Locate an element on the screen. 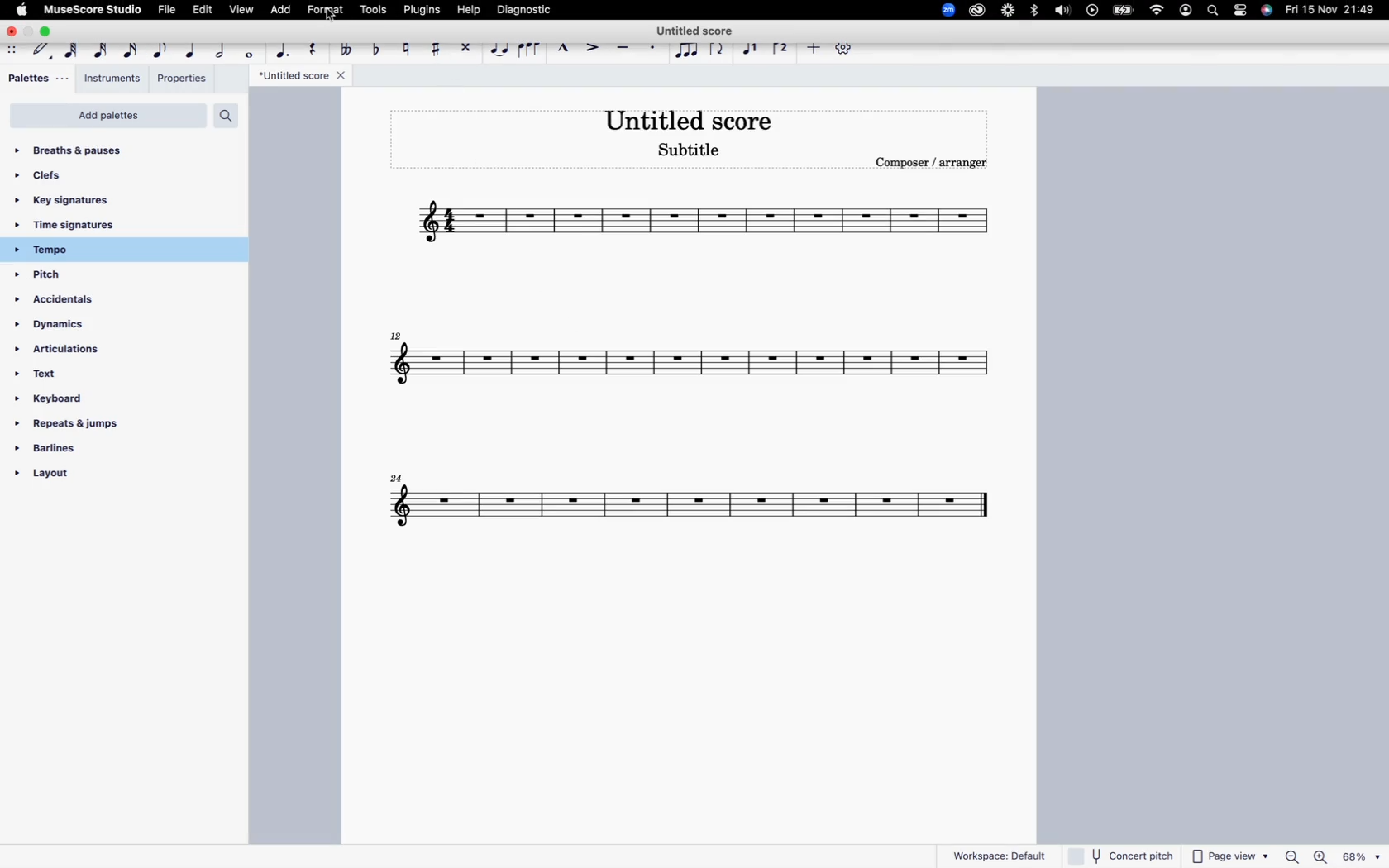  bluetooth is located at coordinates (1036, 13).